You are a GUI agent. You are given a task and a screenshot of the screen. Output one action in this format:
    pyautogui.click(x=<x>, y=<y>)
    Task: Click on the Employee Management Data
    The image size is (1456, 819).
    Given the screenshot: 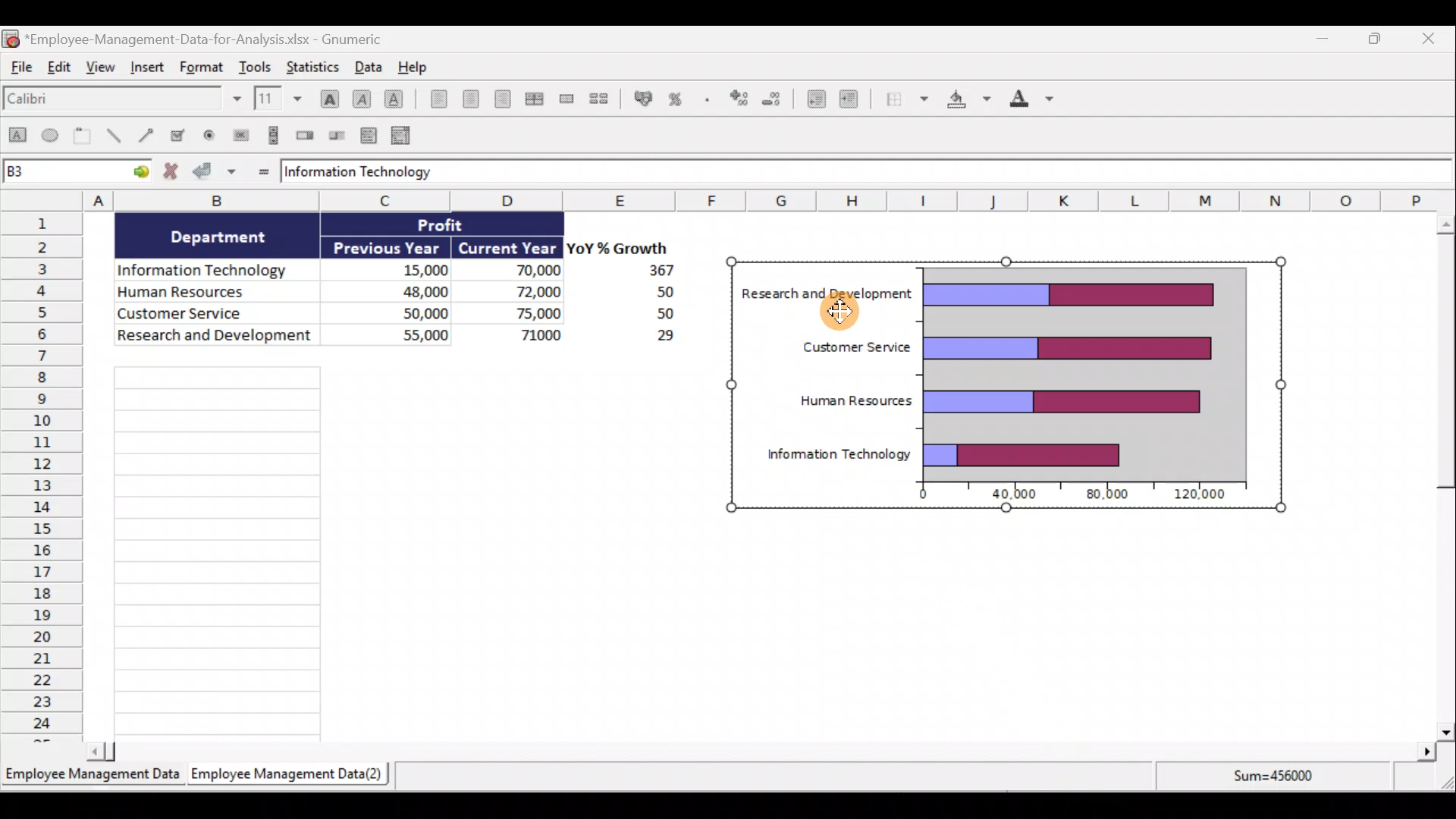 What is the action you would take?
    pyautogui.click(x=92, y=773)
    